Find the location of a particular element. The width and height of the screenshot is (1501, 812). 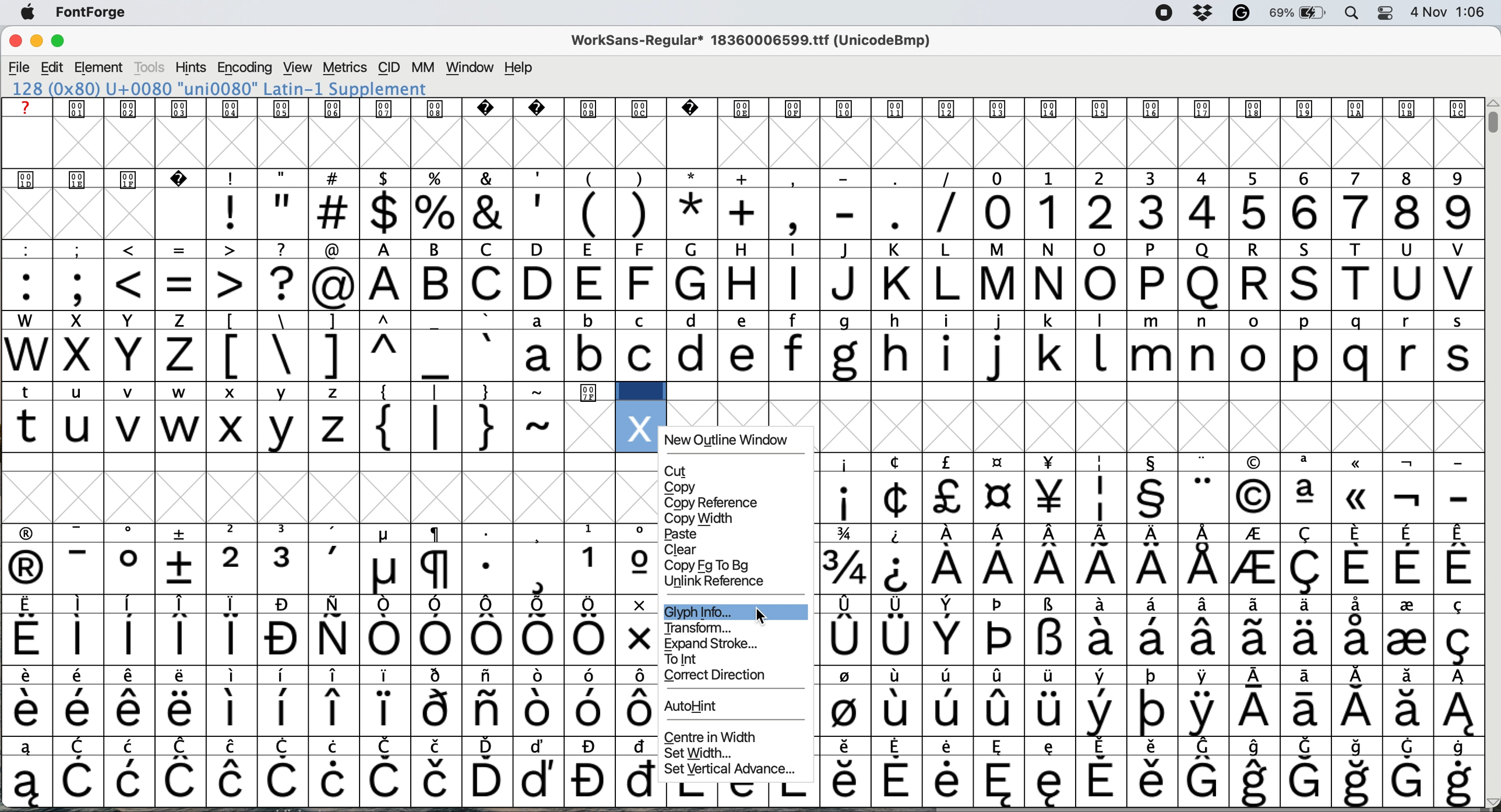

date and time is located at coordinates (1449, 12).